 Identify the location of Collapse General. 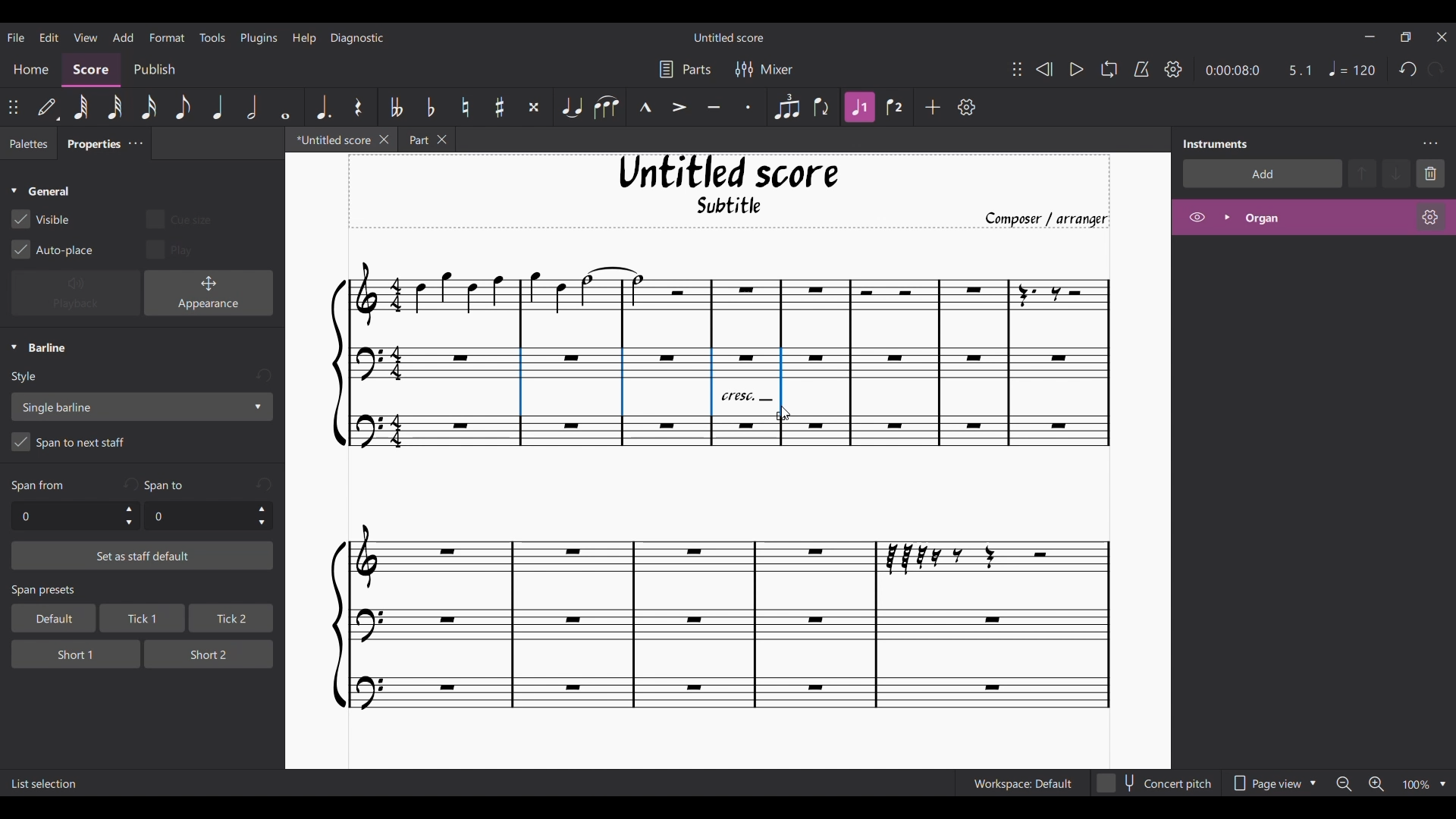
(41, 192).